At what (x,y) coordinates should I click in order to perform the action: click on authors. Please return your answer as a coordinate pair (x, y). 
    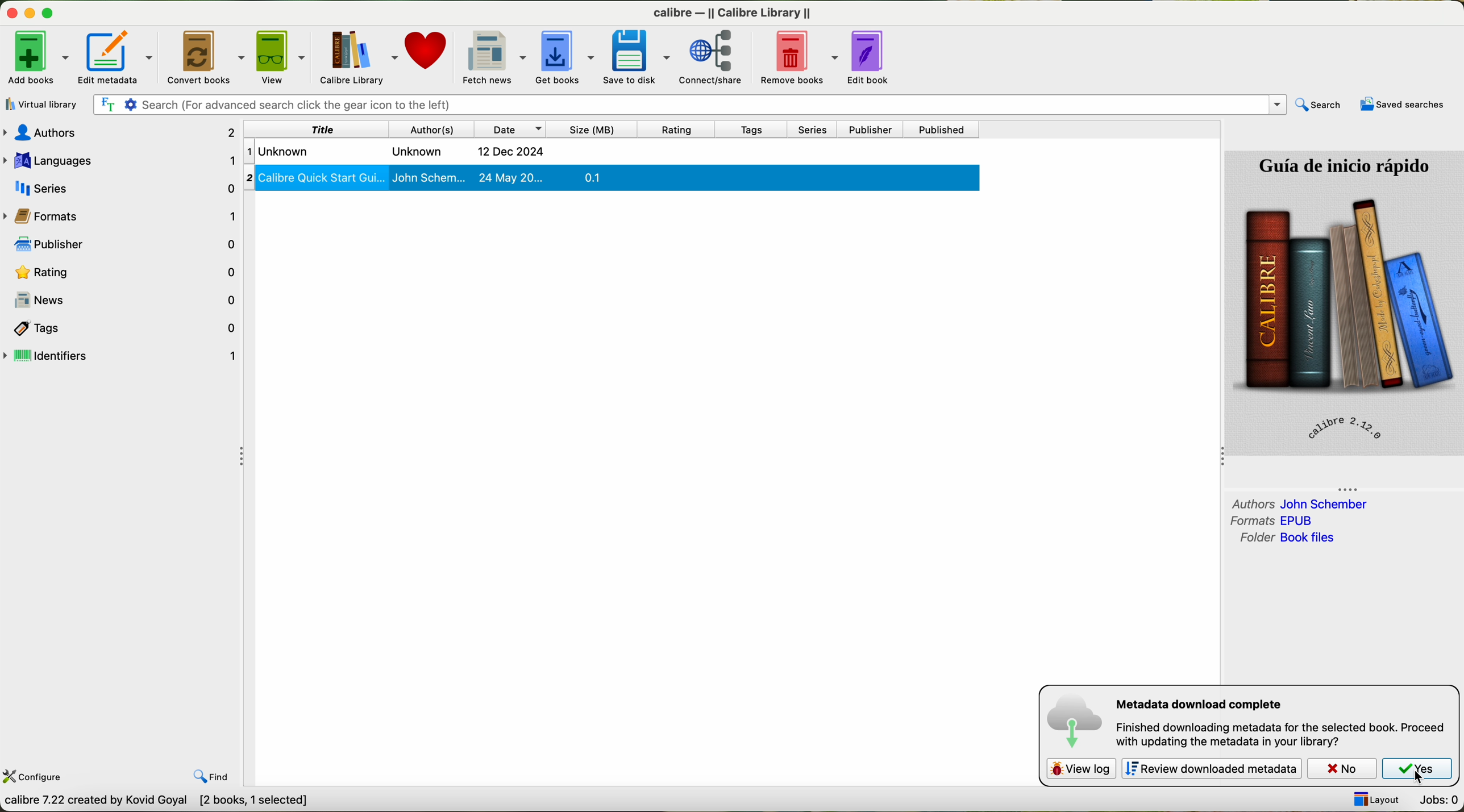
    Looking at the image, I should click on (1299, 503).